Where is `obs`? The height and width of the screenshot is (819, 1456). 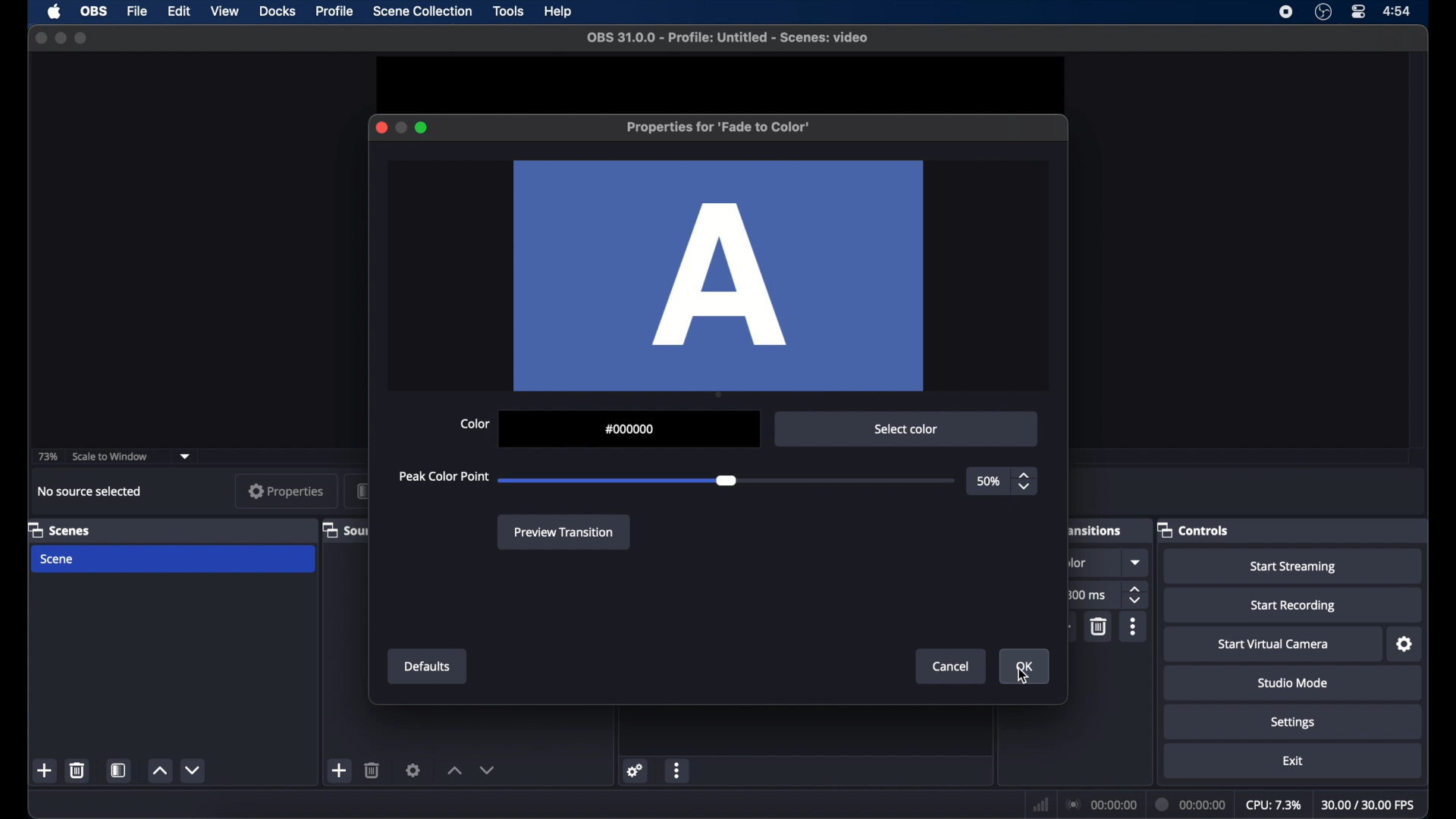
obs is located at coordinates (93, 11).